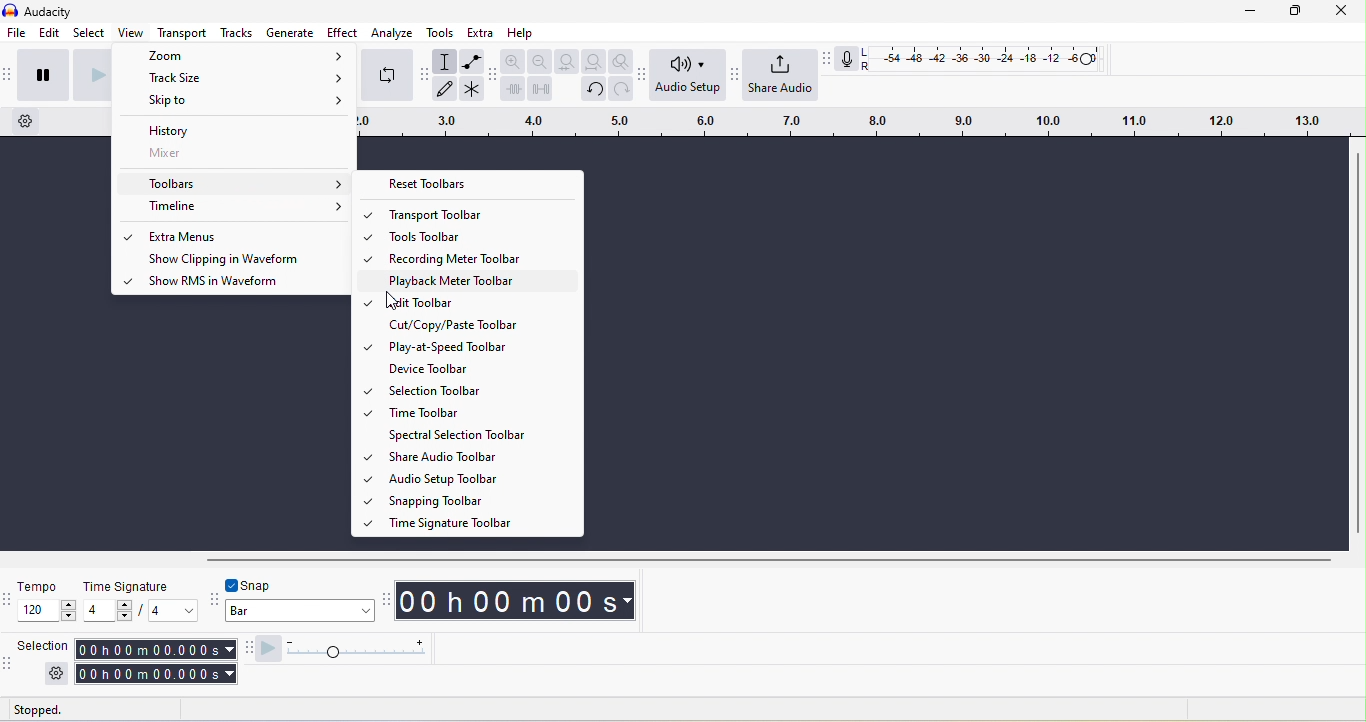 The height and width of the screenshot is (722, 1366). What do you see at coordinates (481, 214) in the screenshot?
I see `Transport toolbar` at bounding box center [481, 214].